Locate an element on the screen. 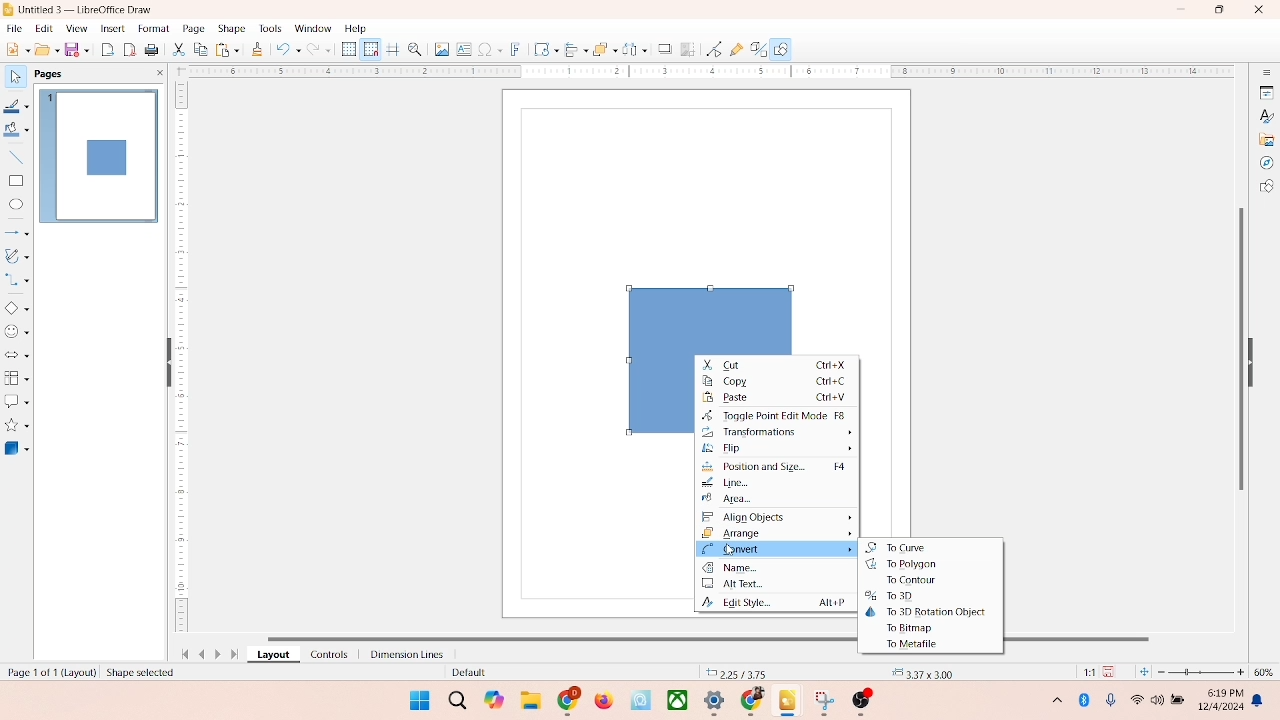  draw function is located at coordinates (783, 49).